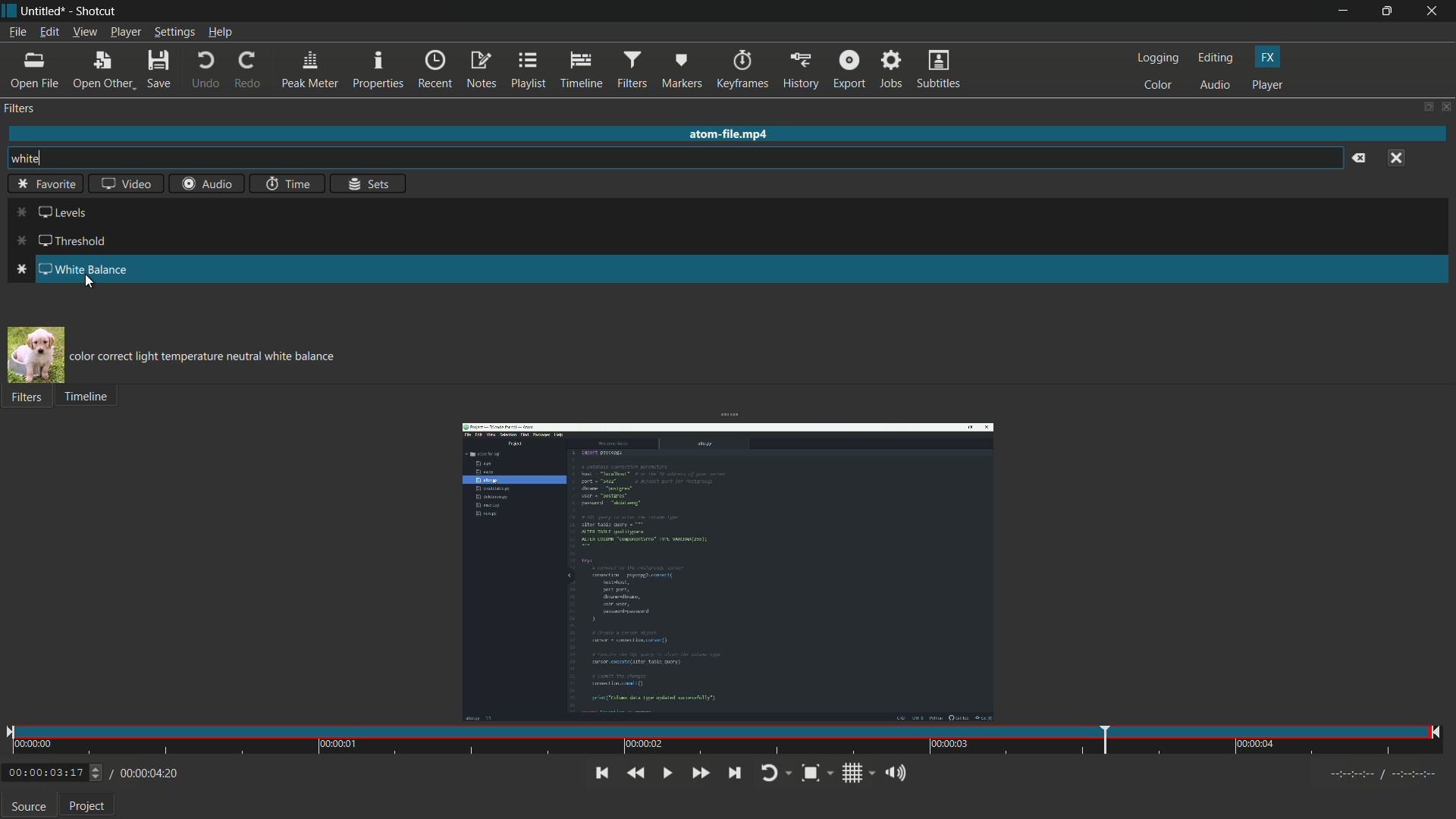  I want to click on toggle play or pause, so click(665, 773).